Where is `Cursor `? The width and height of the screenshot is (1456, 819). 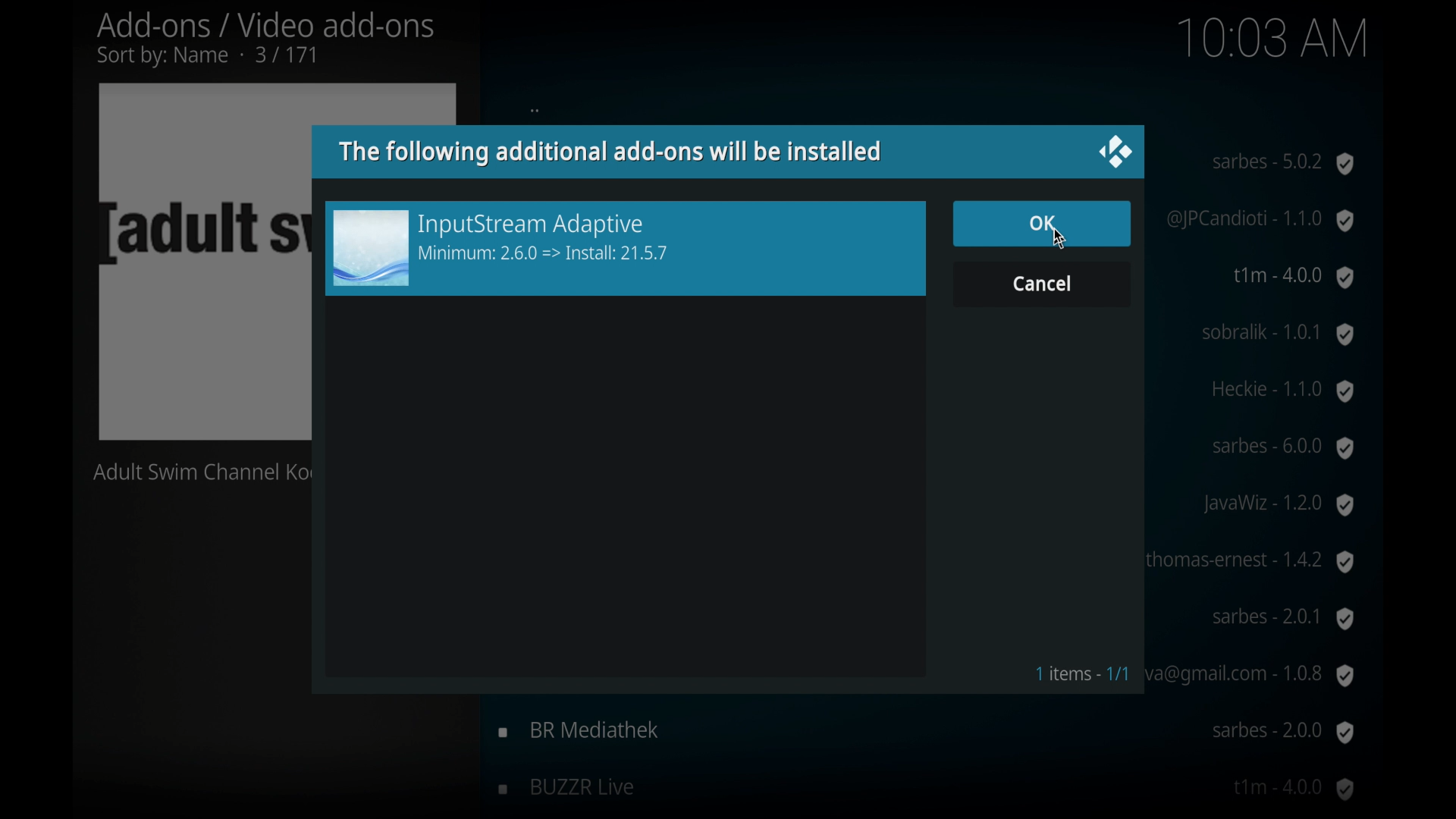 Cursor  is located at coordinates (1062, 240).